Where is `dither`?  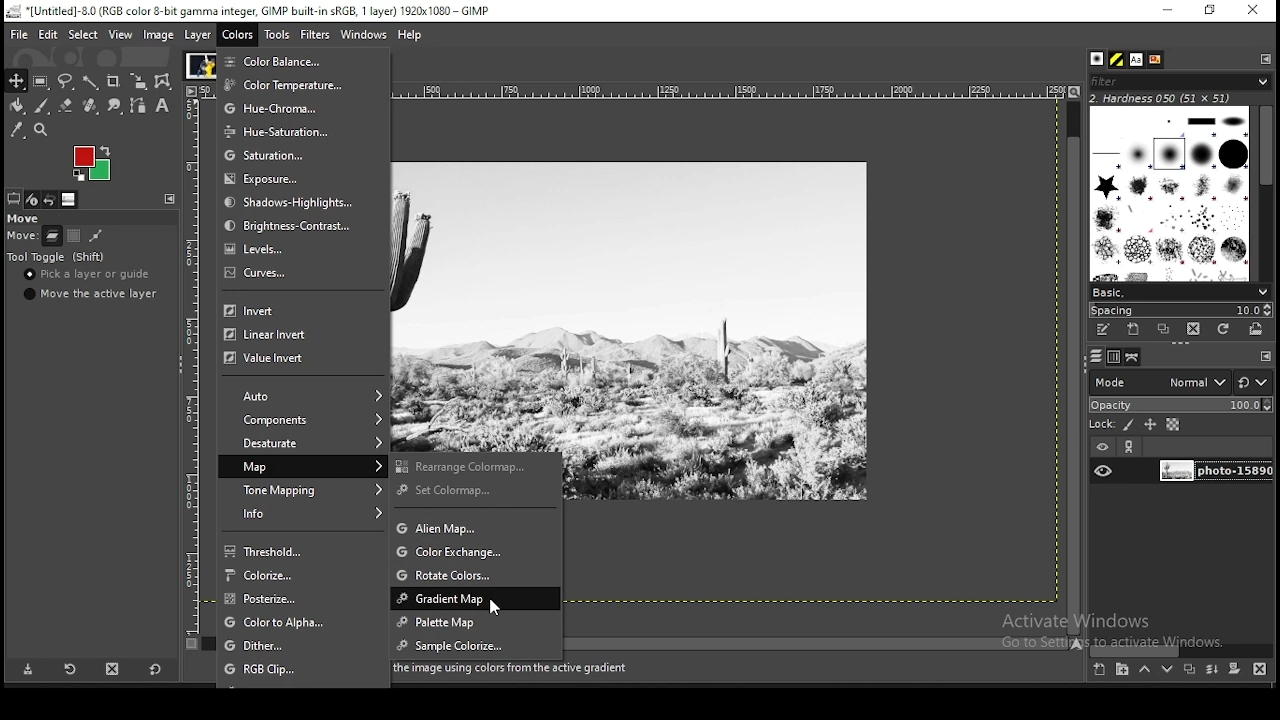 dither is located at coordinates (304, 646).